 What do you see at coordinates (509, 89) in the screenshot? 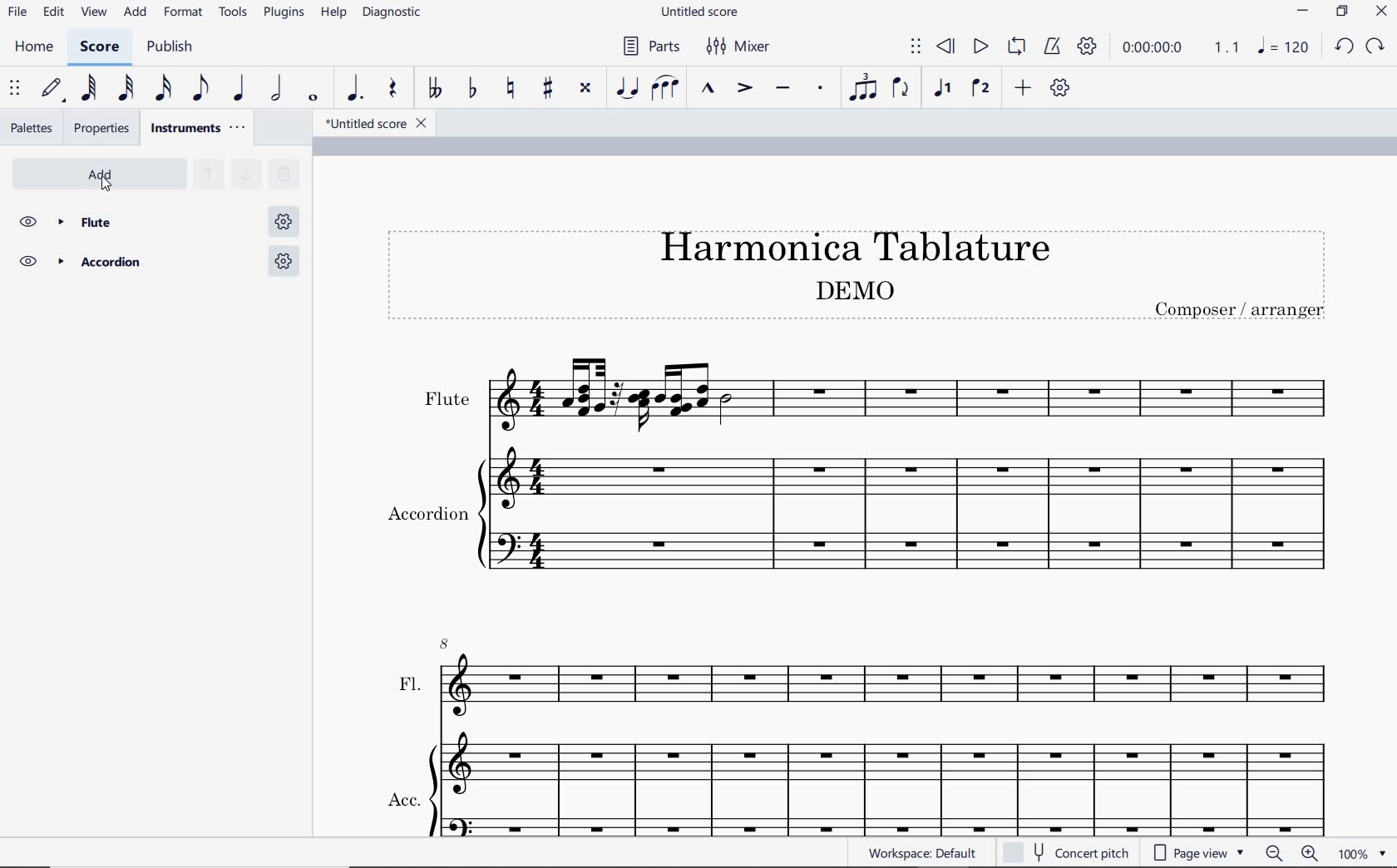
I see `toggle natural` at bounding box center [509, 89].